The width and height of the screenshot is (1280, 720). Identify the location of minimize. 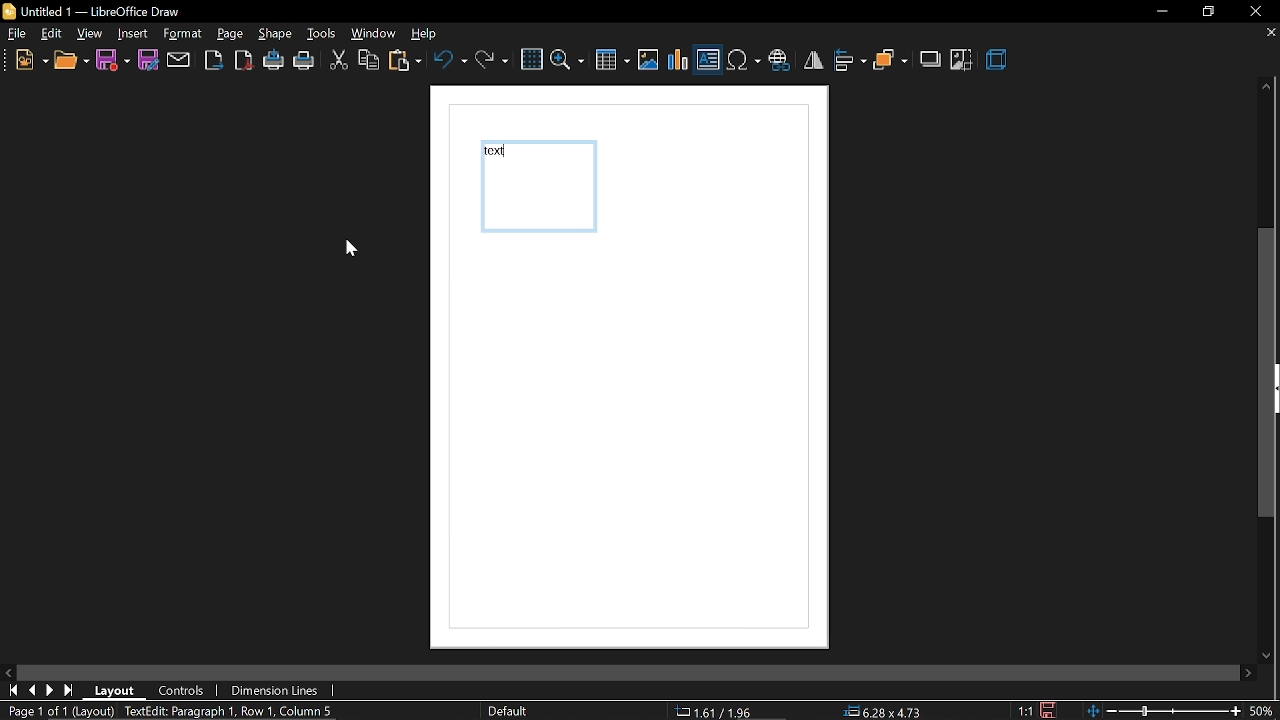
(1160, 11).